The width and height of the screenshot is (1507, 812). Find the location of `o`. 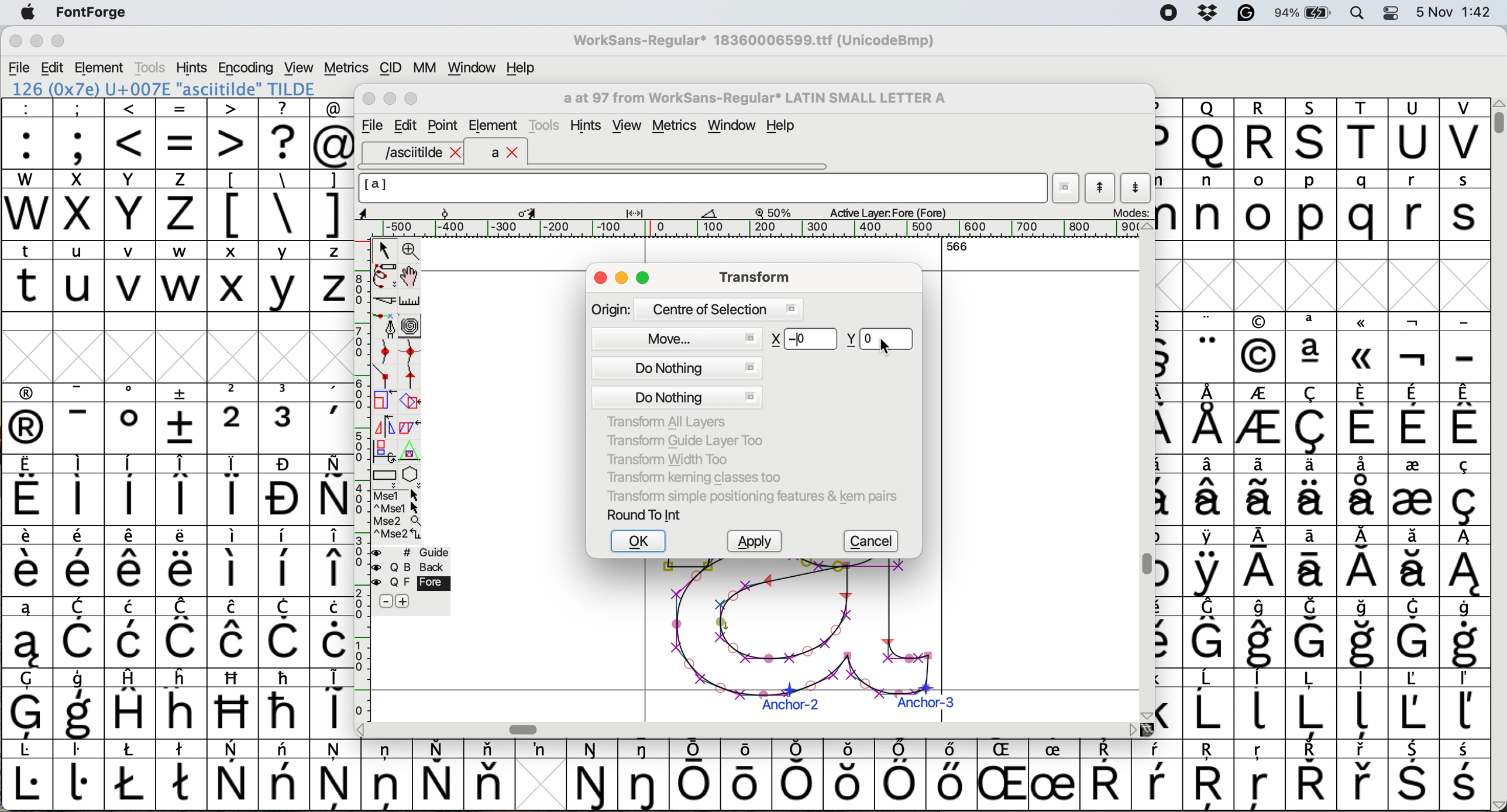

o is located at coordinates (1261, 207).